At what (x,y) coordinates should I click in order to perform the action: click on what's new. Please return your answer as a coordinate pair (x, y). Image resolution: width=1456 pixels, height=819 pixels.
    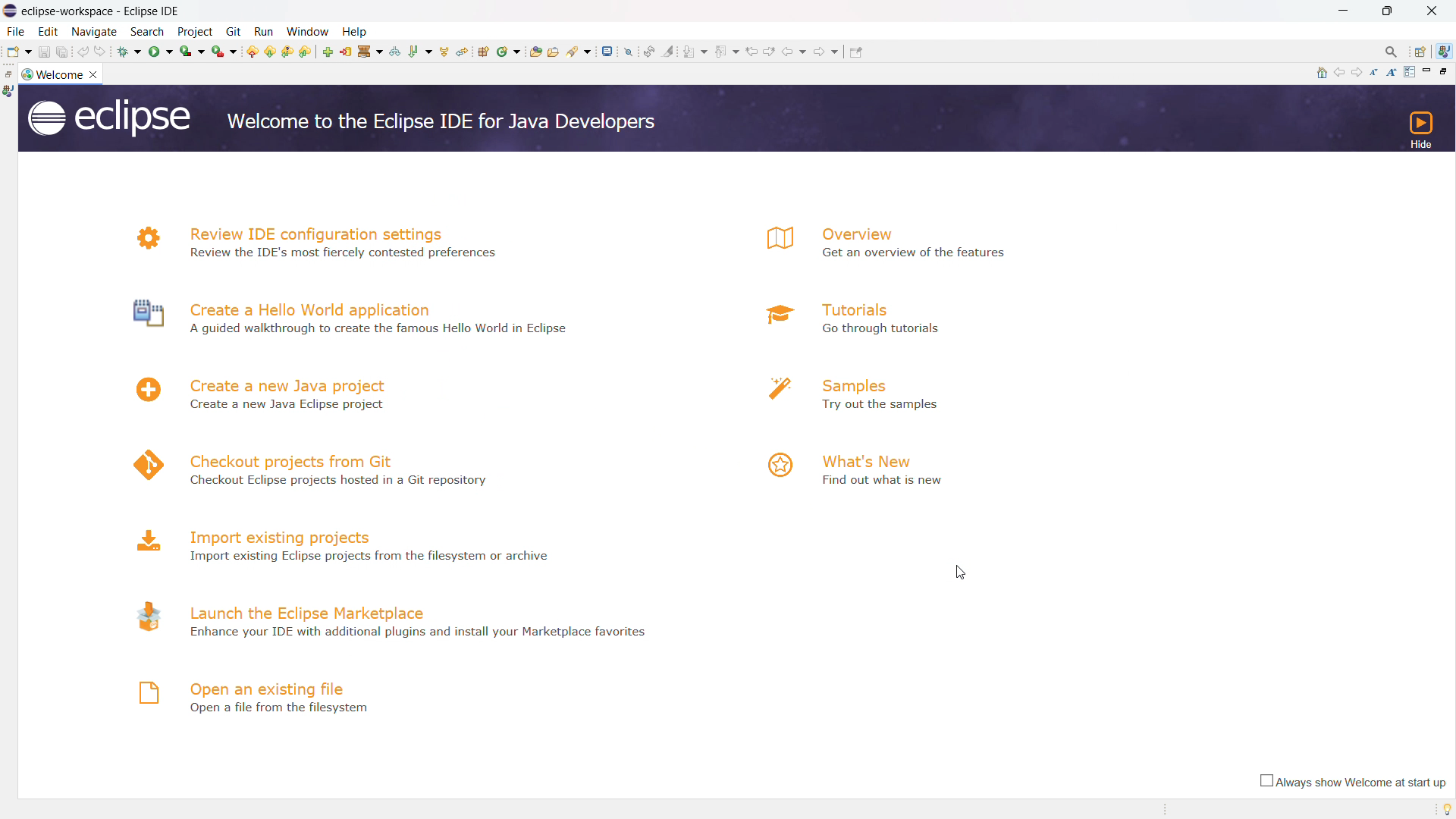
    Looking at the image, I should click on (874, 457).